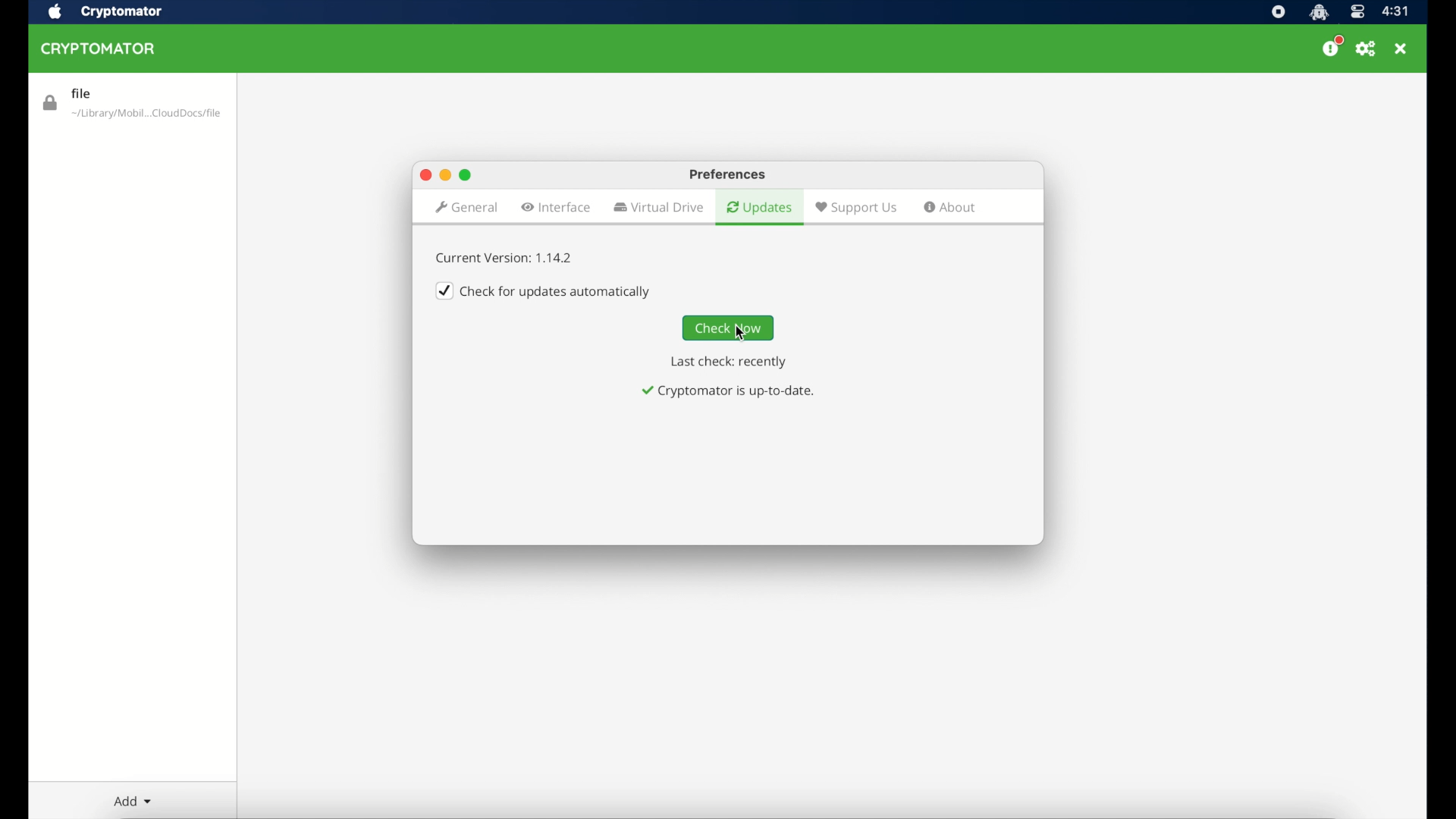 The image size is (1456, 819). Describe the element at coordinates (124, 12) in the screenshot. I see `cryptomator` at that location.